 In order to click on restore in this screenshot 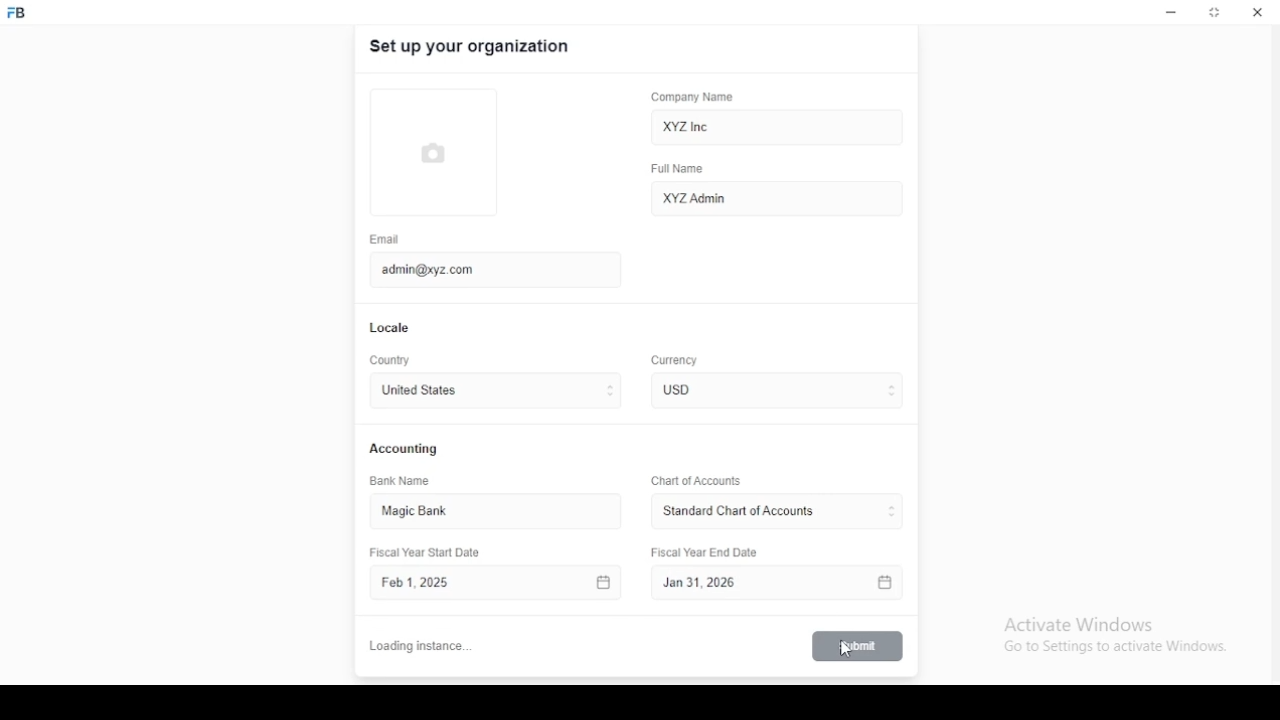, I will do `click(1216, 14)`.